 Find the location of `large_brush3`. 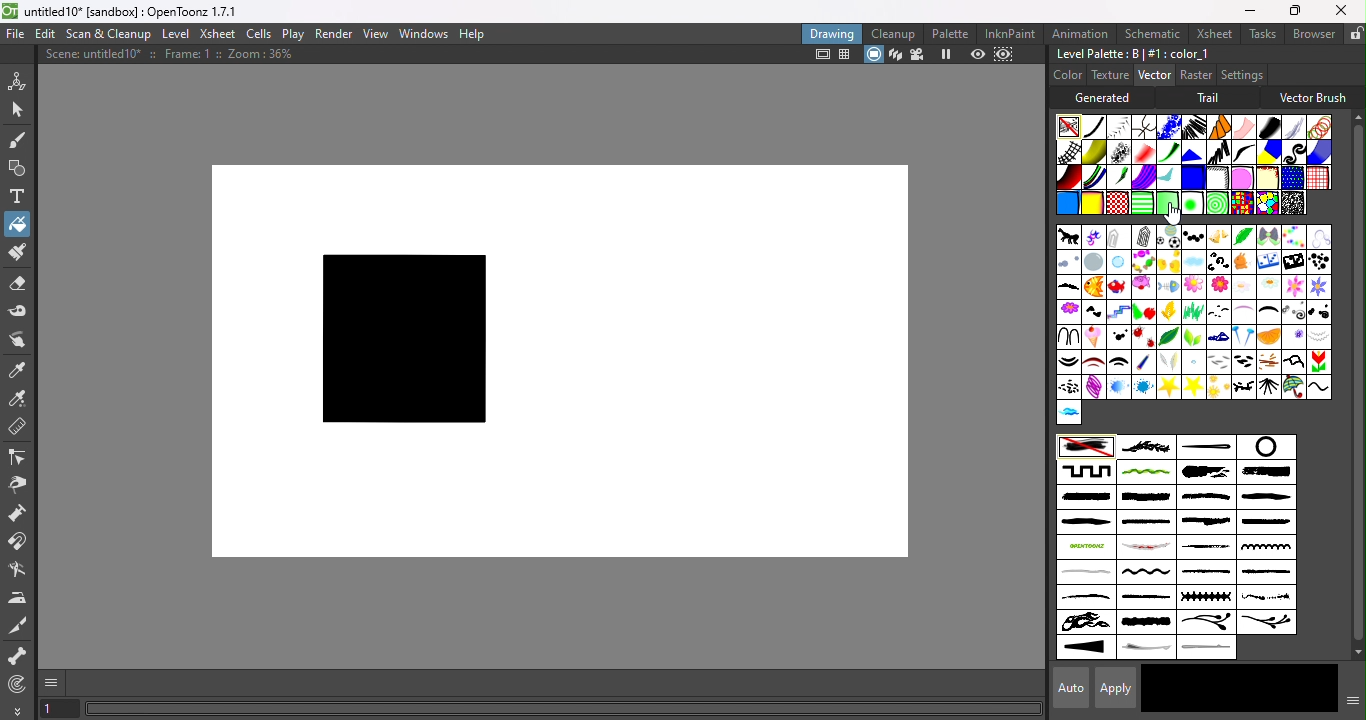

large_brush3 is located at coordinates (1084, 497).